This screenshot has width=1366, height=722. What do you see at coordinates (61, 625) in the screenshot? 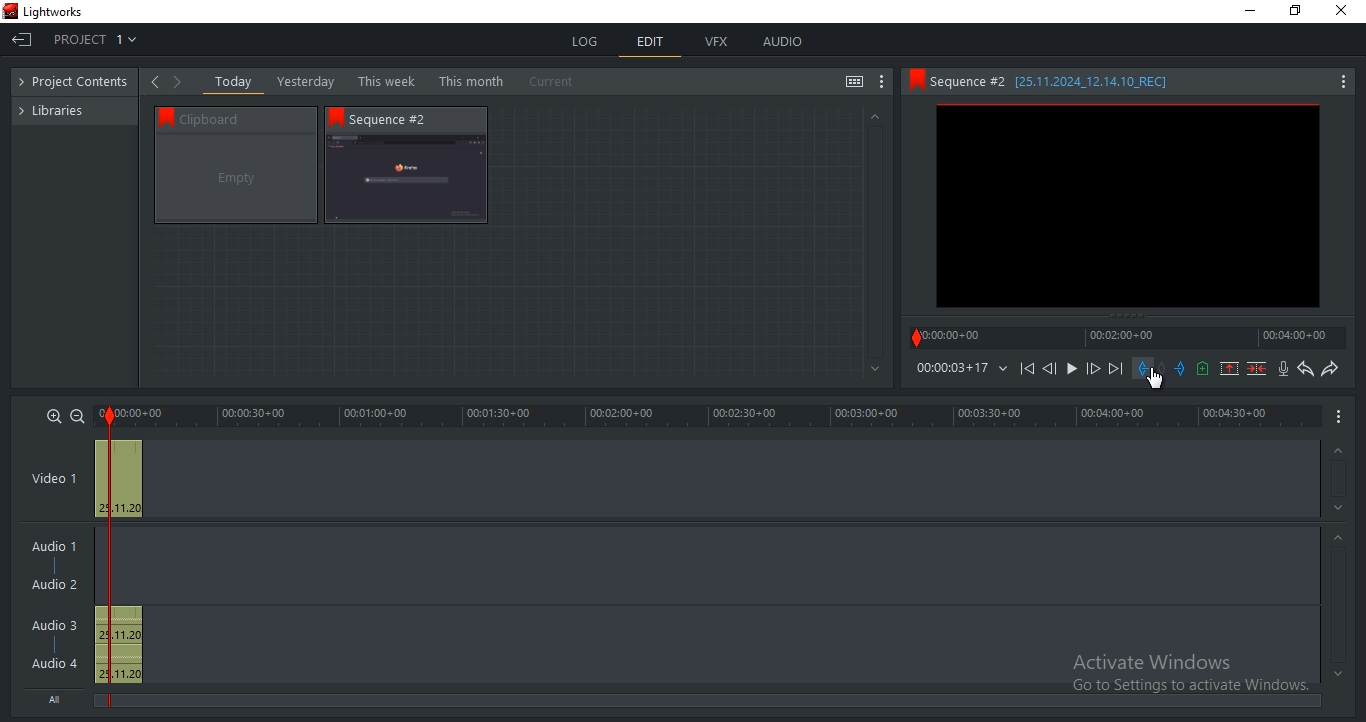
I see `Audio 3` at bounding box center [61, 625].